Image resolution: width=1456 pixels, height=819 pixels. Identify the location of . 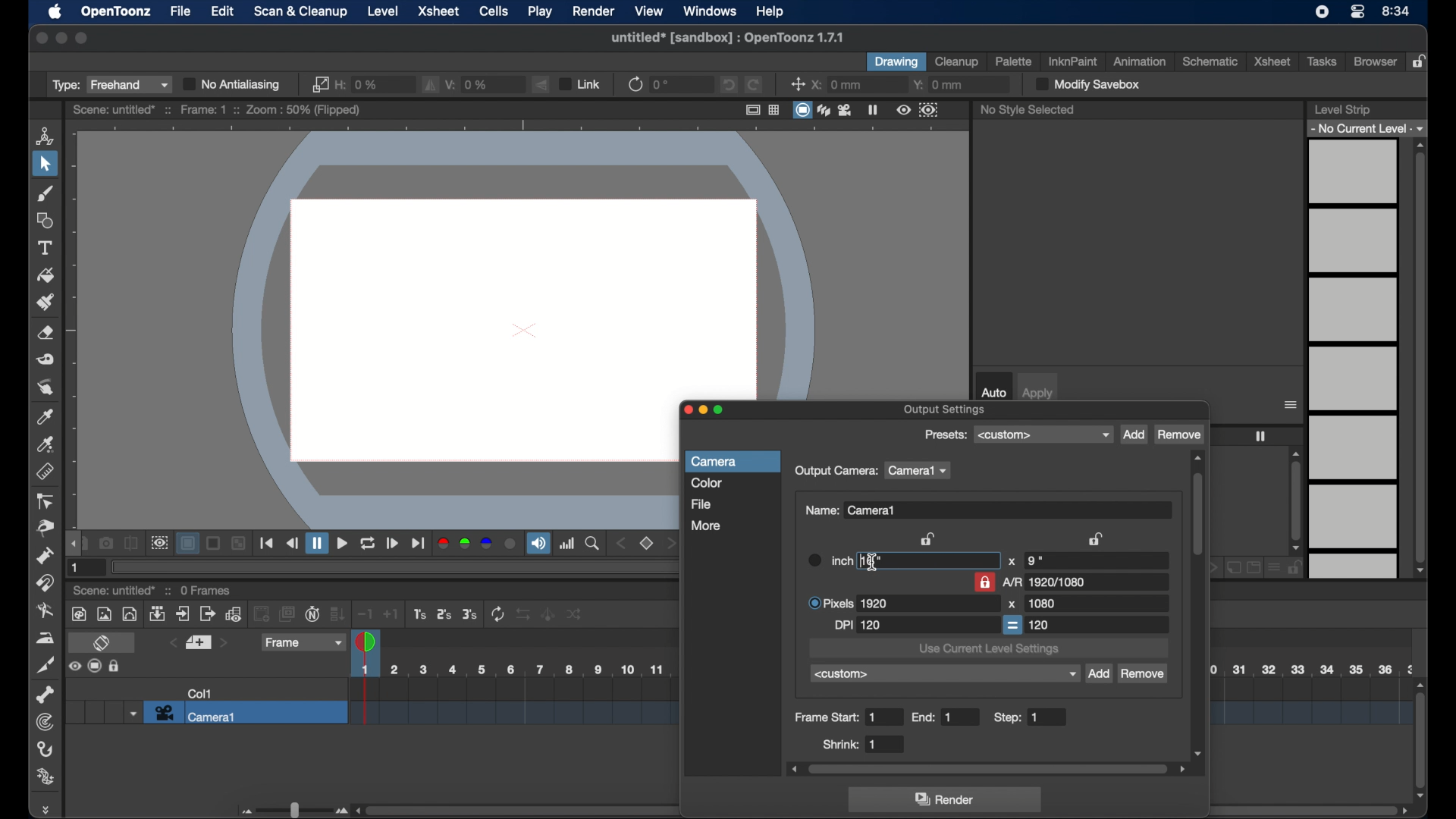
(575, 613).